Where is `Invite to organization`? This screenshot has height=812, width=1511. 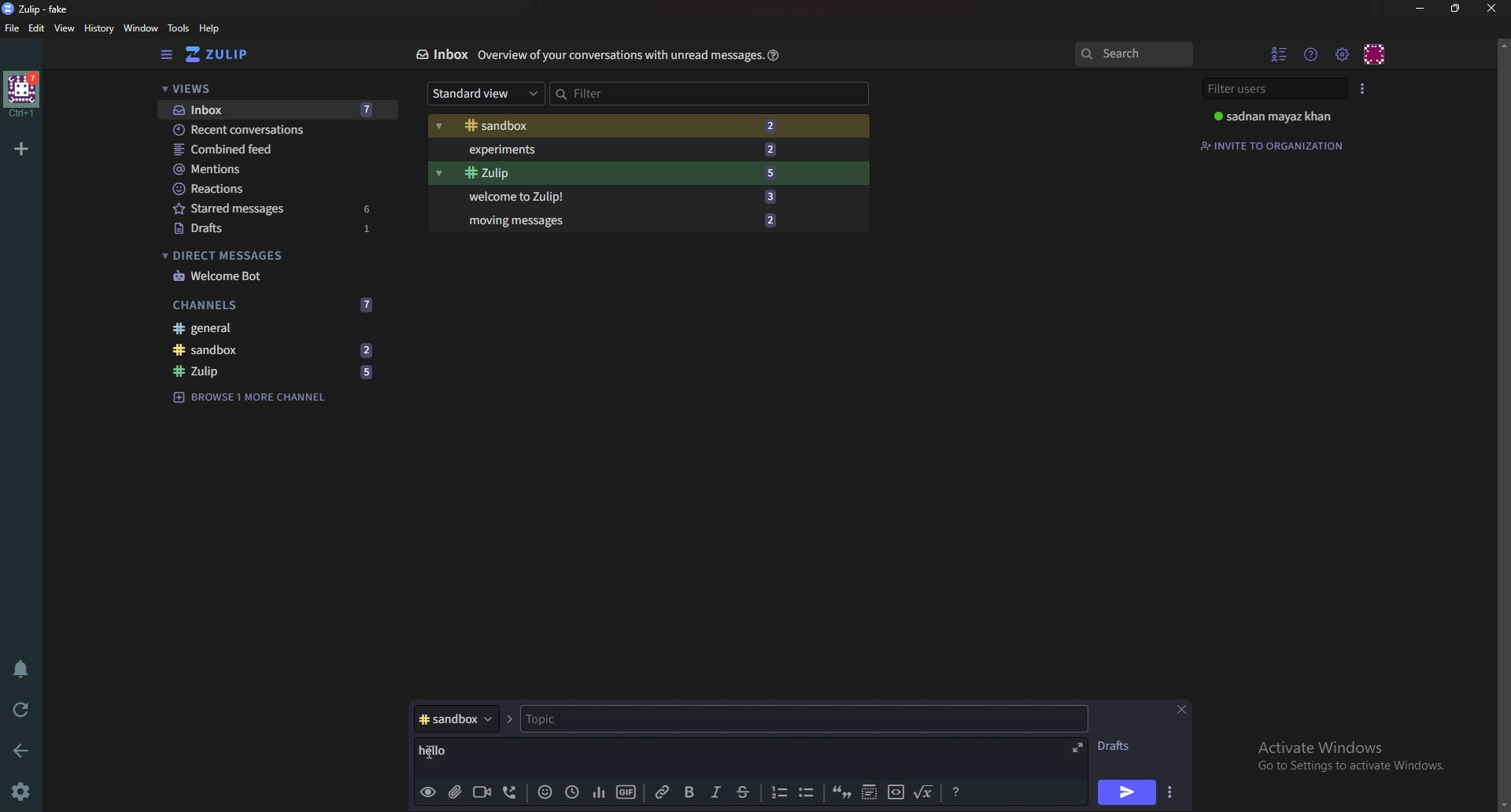
Invite to organization is located at coordinates (1277, 145).